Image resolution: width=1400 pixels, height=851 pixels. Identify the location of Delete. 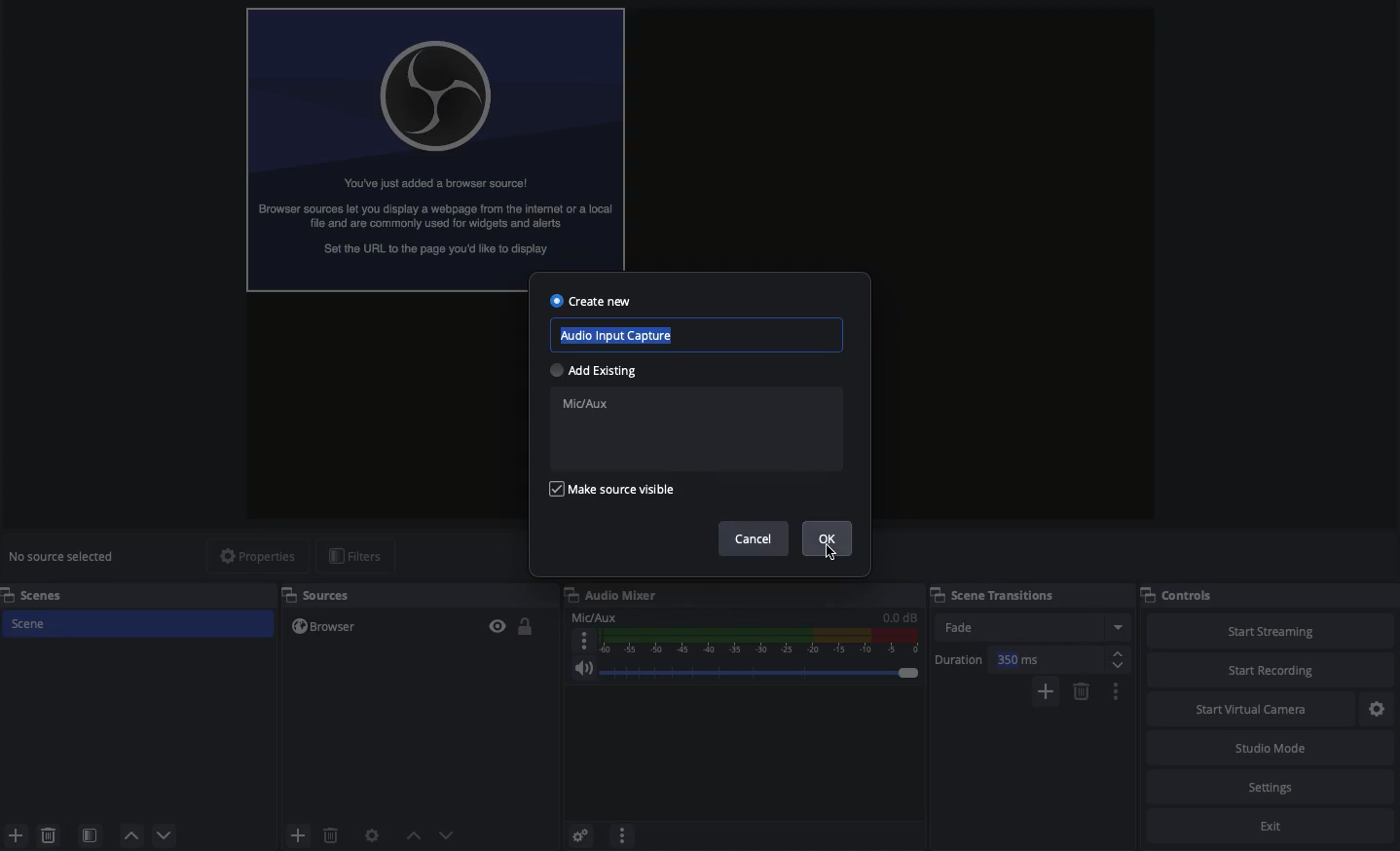
(330, 834).